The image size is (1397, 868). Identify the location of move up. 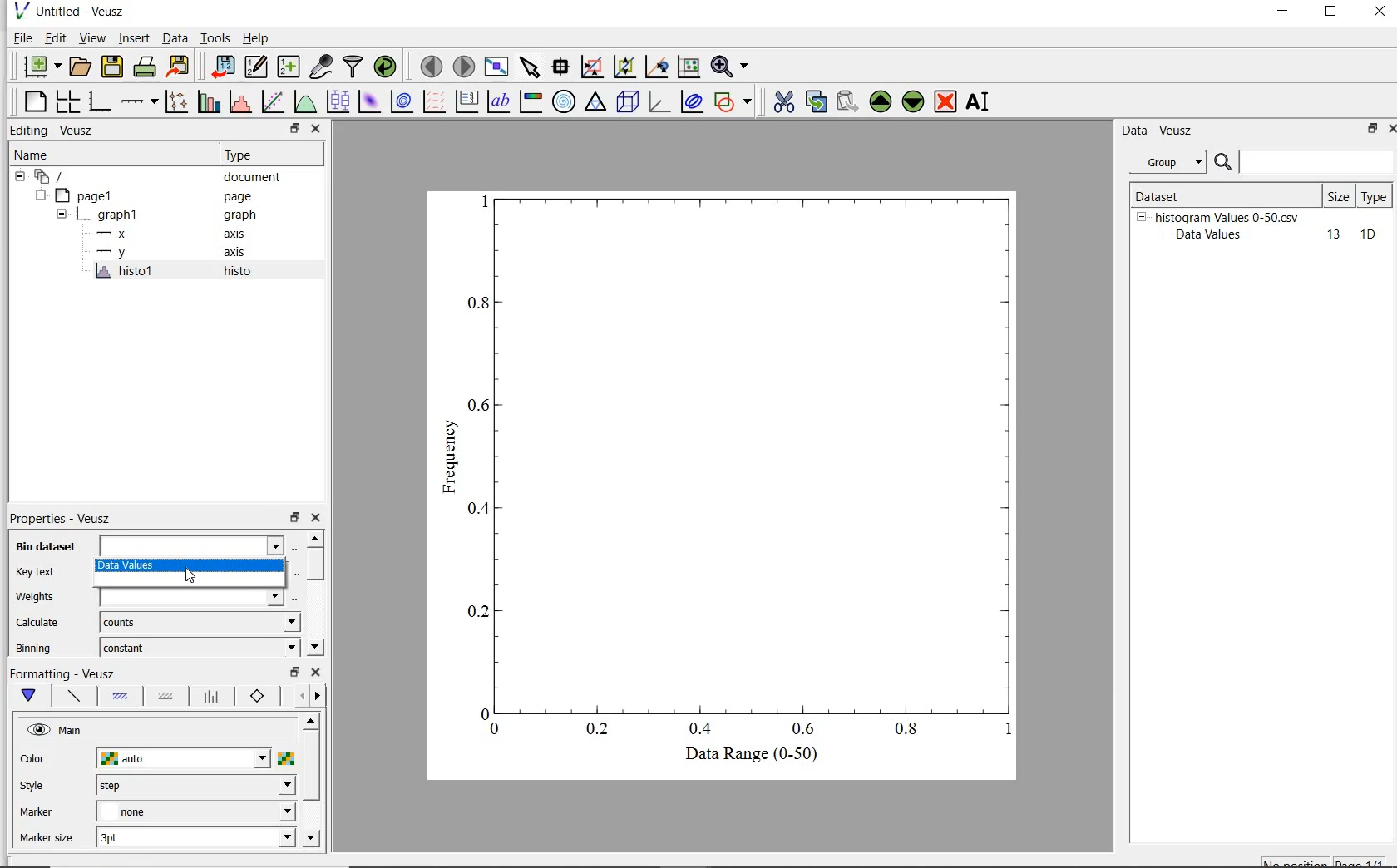
(314, 538).